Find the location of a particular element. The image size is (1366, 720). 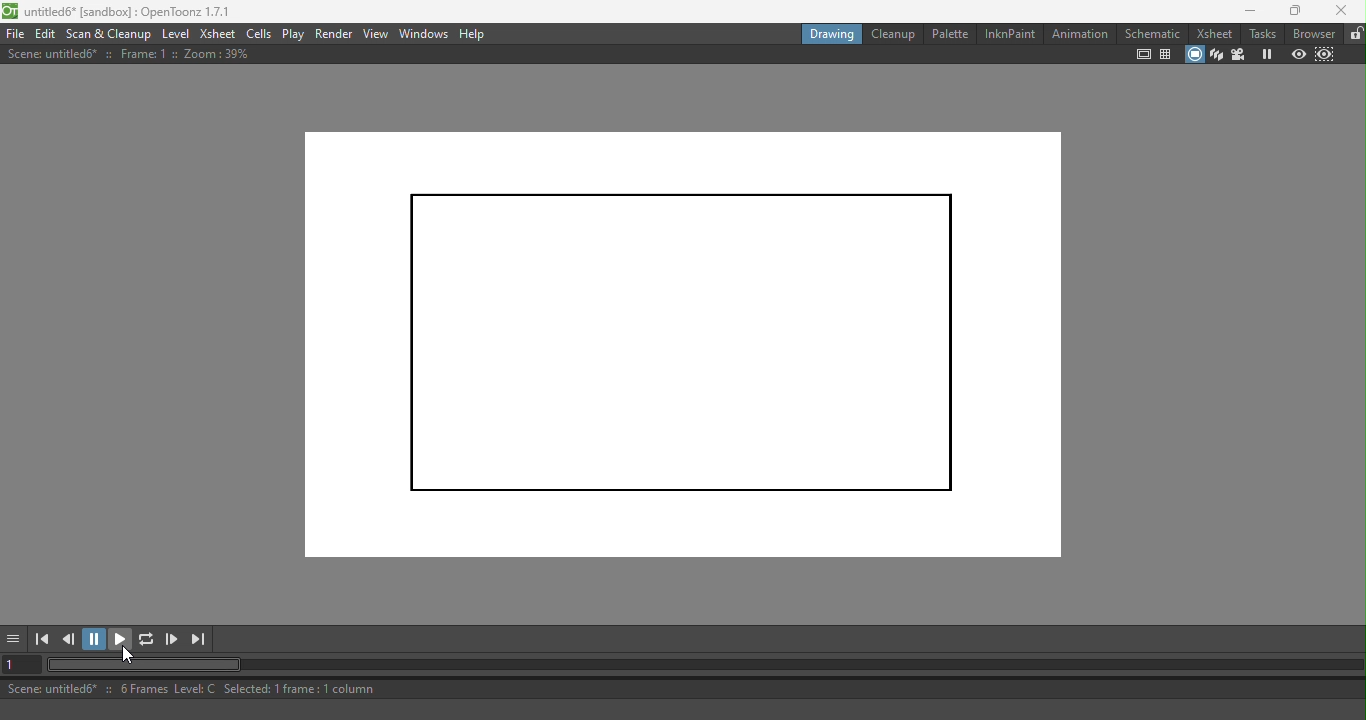

Edit is located at coordinates (45, 34).